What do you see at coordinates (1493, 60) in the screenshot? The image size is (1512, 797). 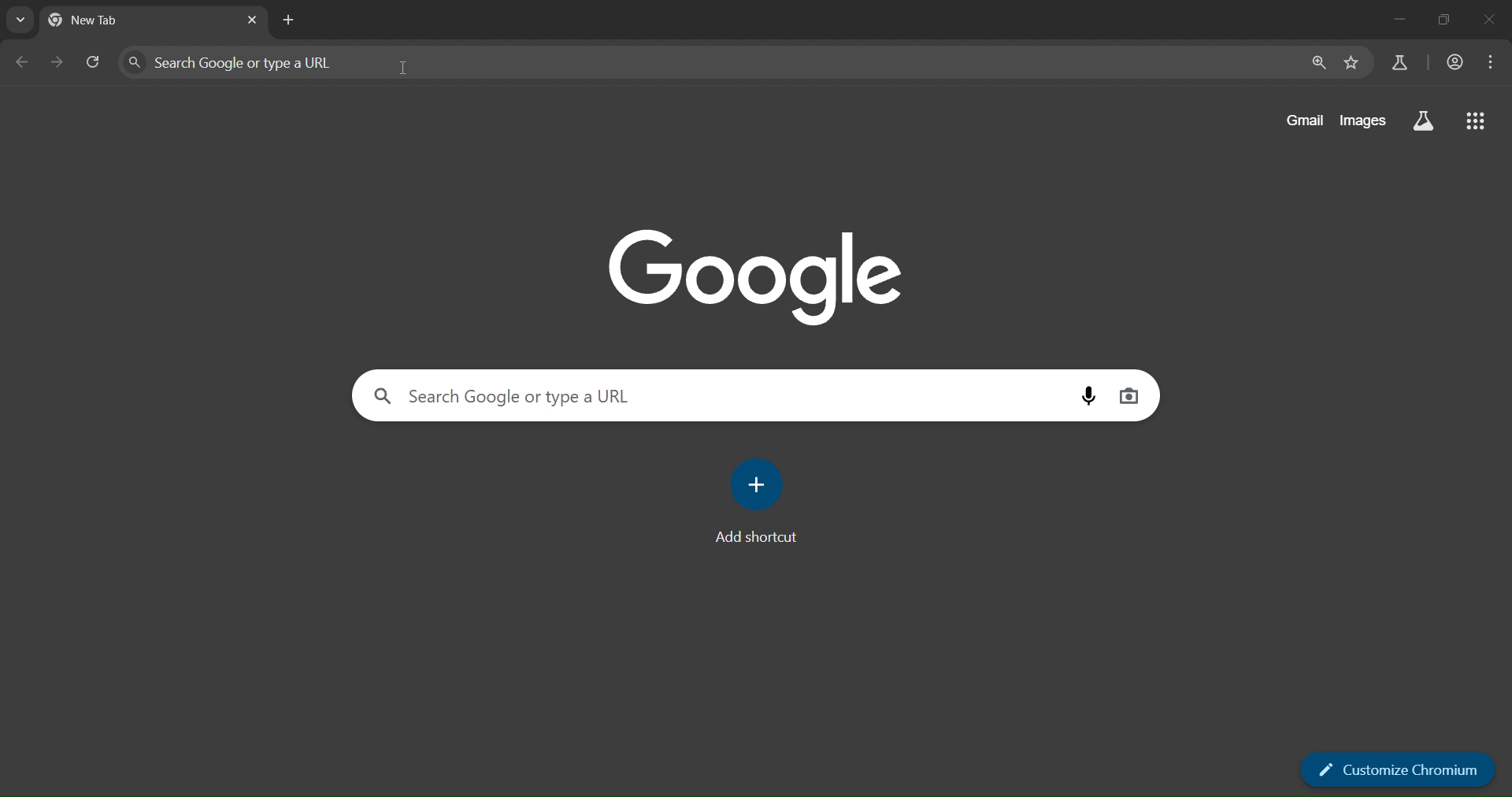 I see `menu` at bounding box center [1493, 60].